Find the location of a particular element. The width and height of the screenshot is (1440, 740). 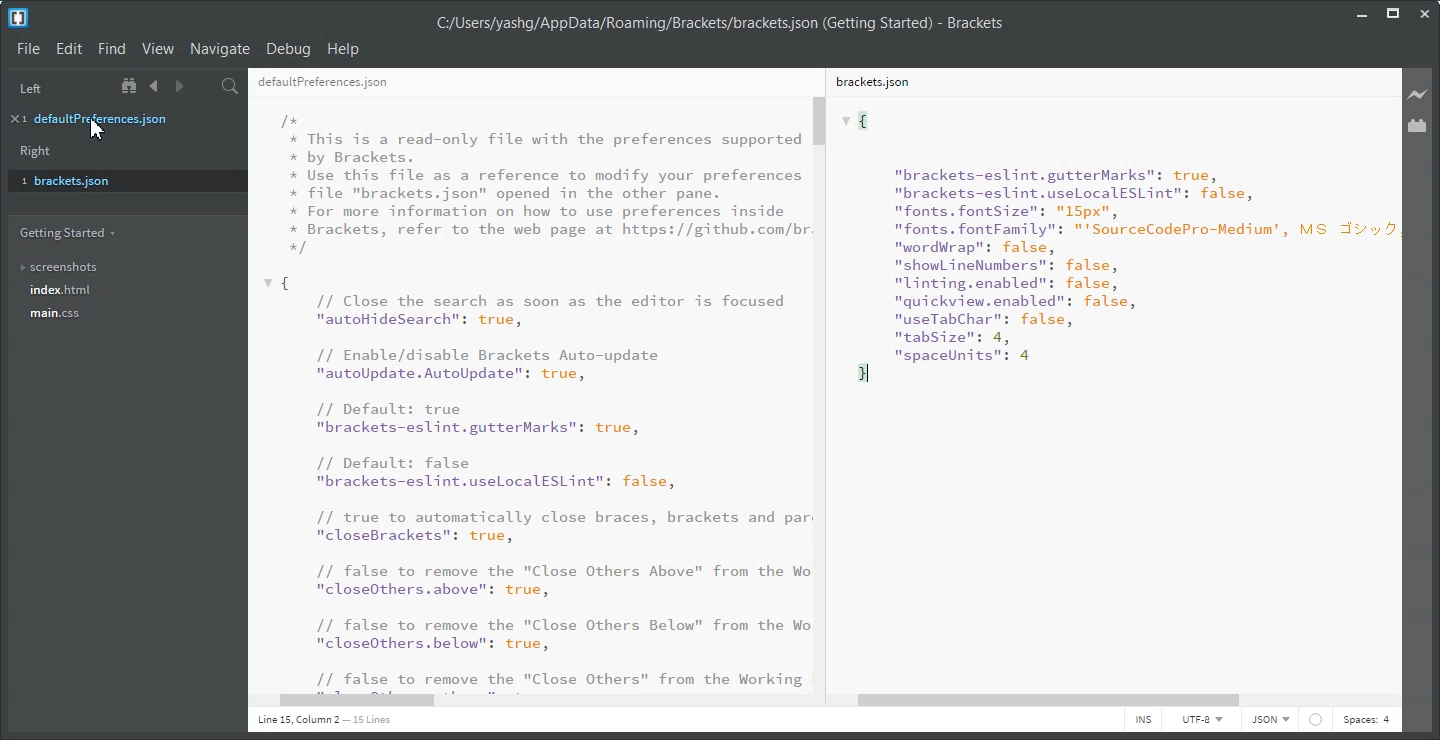

Logo is located at coordinates (18, 18).